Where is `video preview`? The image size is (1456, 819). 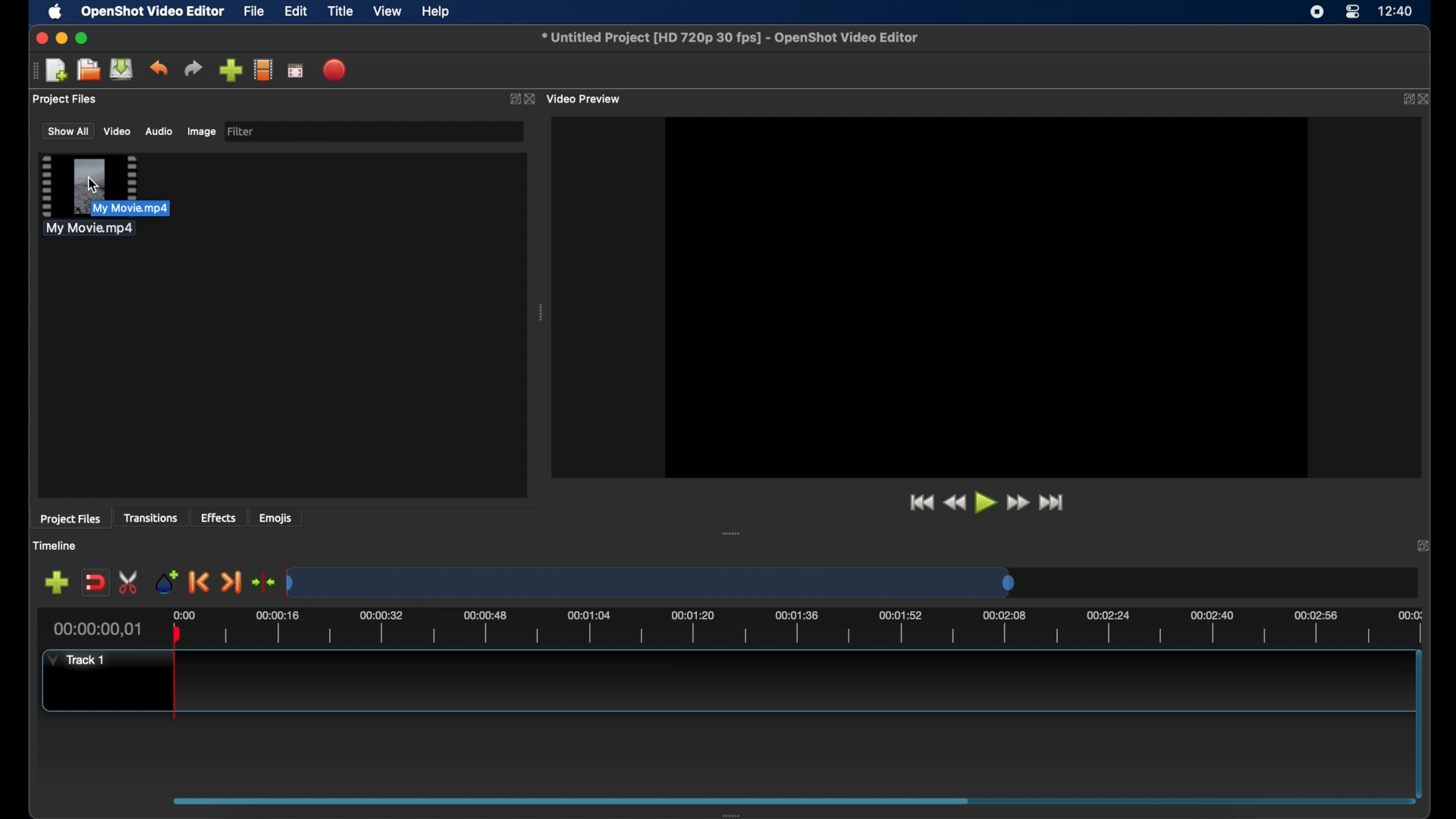 video preview is located at coordinates (585, 99).